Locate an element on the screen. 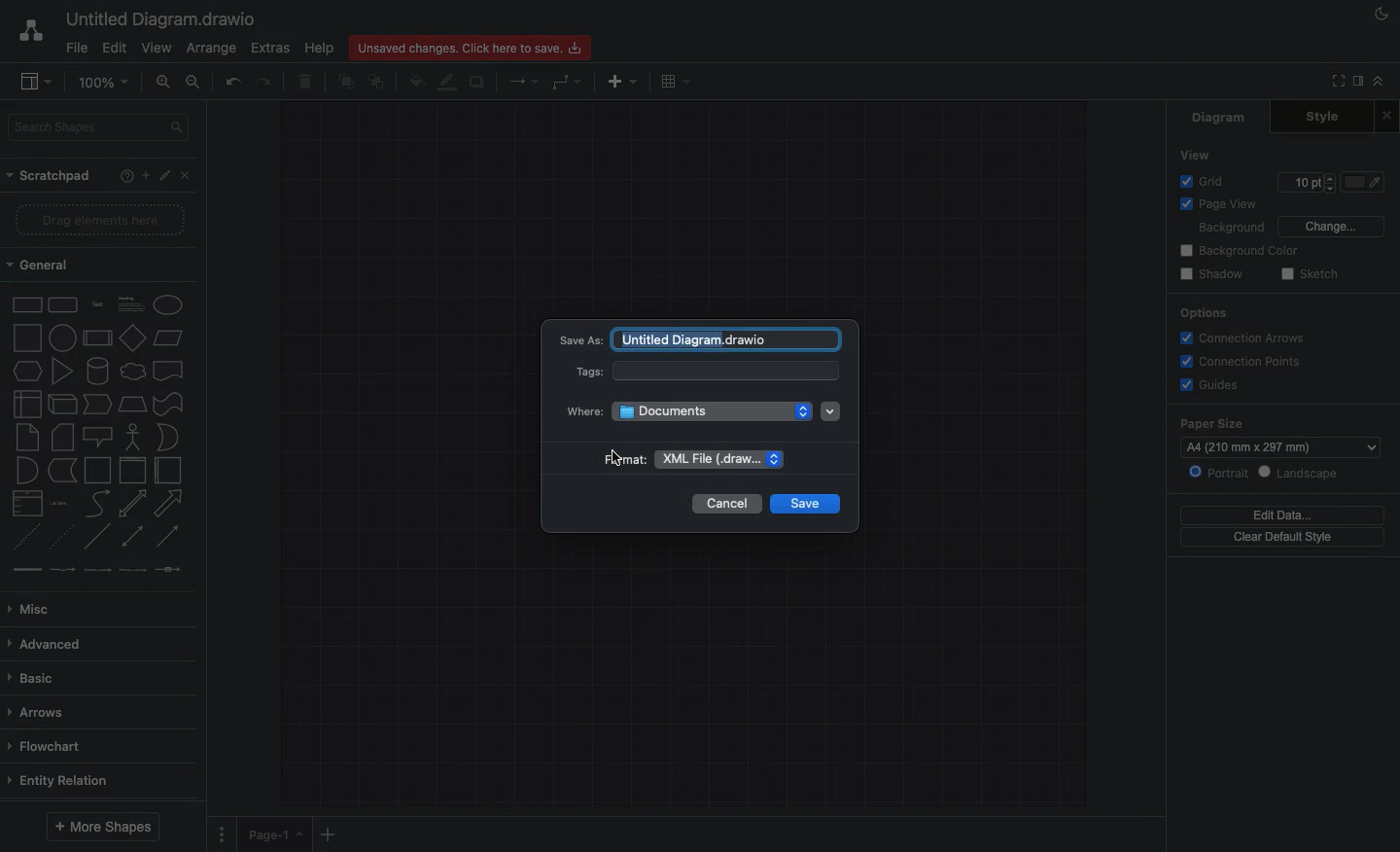  Drag elements here is located at coordinates (95, 222).